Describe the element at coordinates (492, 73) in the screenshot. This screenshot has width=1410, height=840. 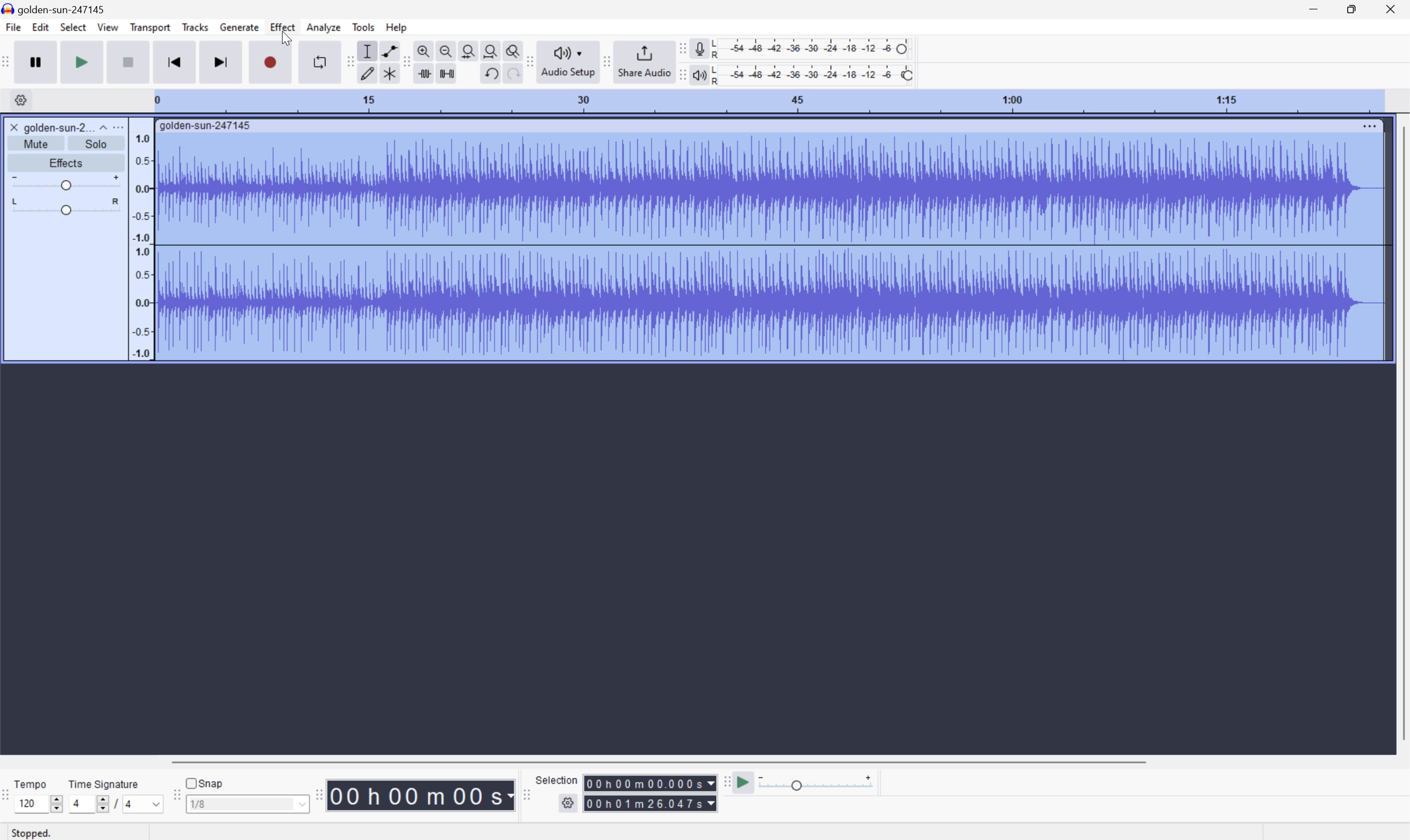
I see `Undo` at that location.